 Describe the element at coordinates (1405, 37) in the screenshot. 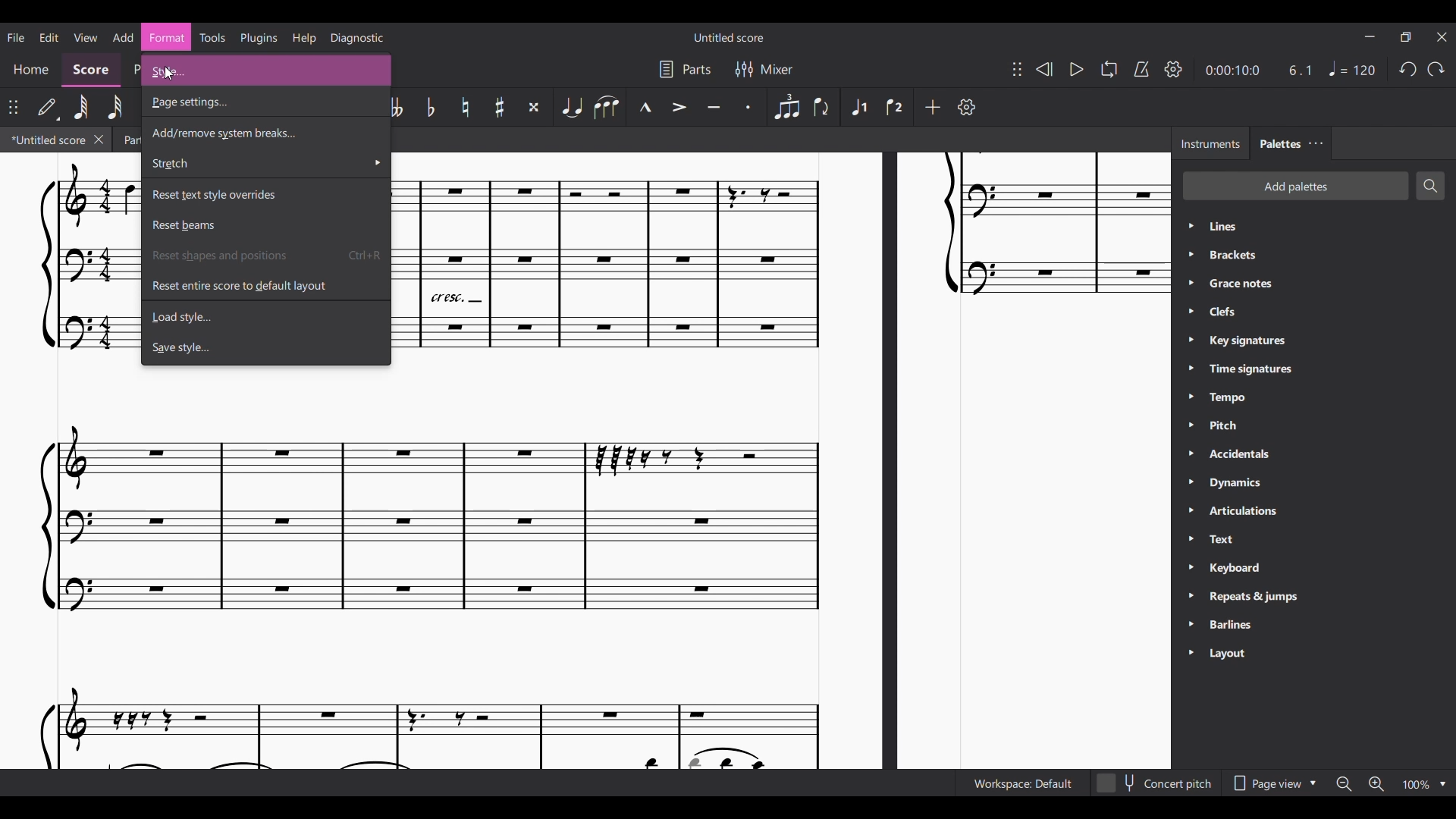

I see `Show interface in a smaller tab` at that location.